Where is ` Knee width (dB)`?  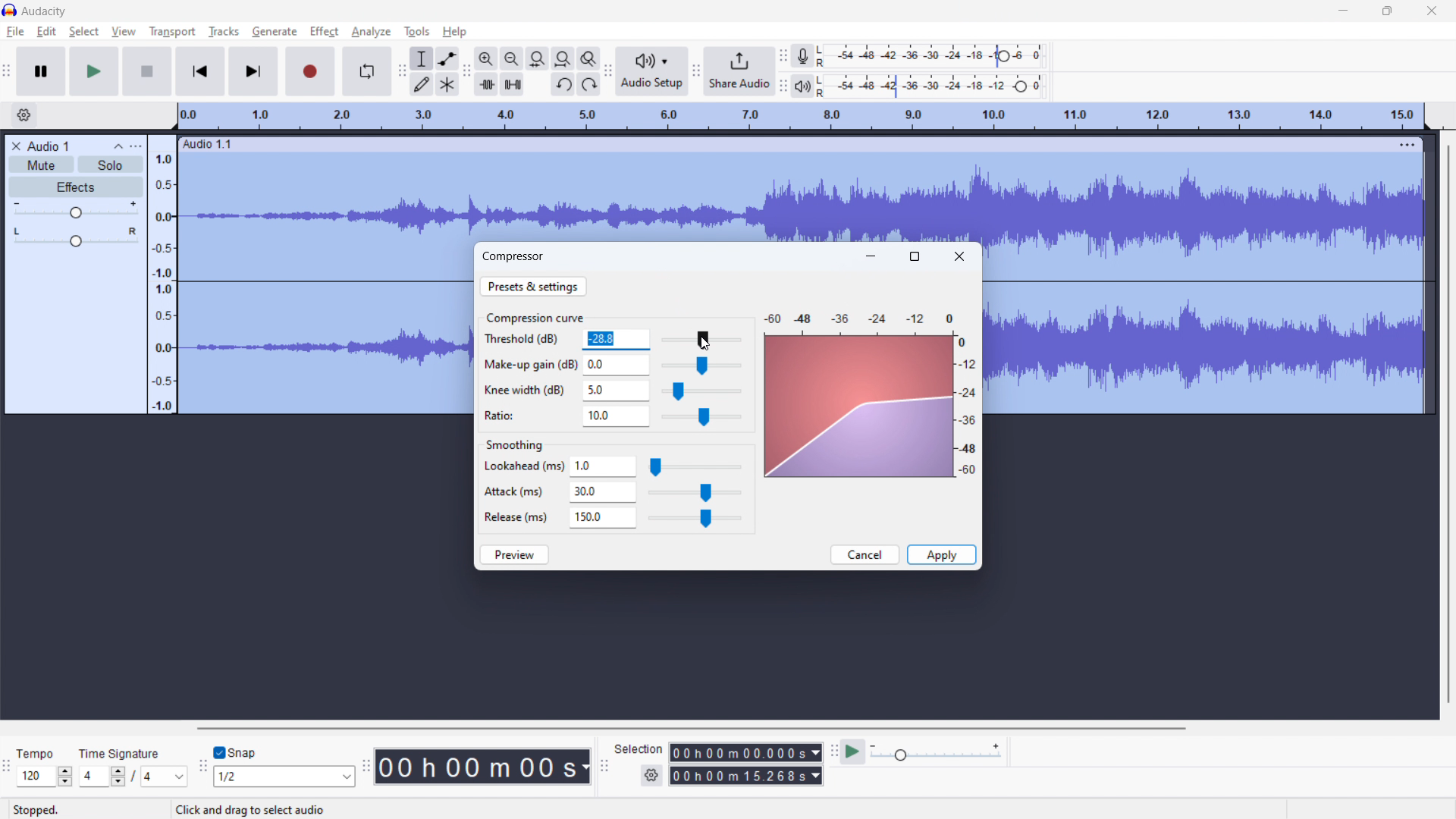  Knee width (dB) is located at coordinates (526, 391).